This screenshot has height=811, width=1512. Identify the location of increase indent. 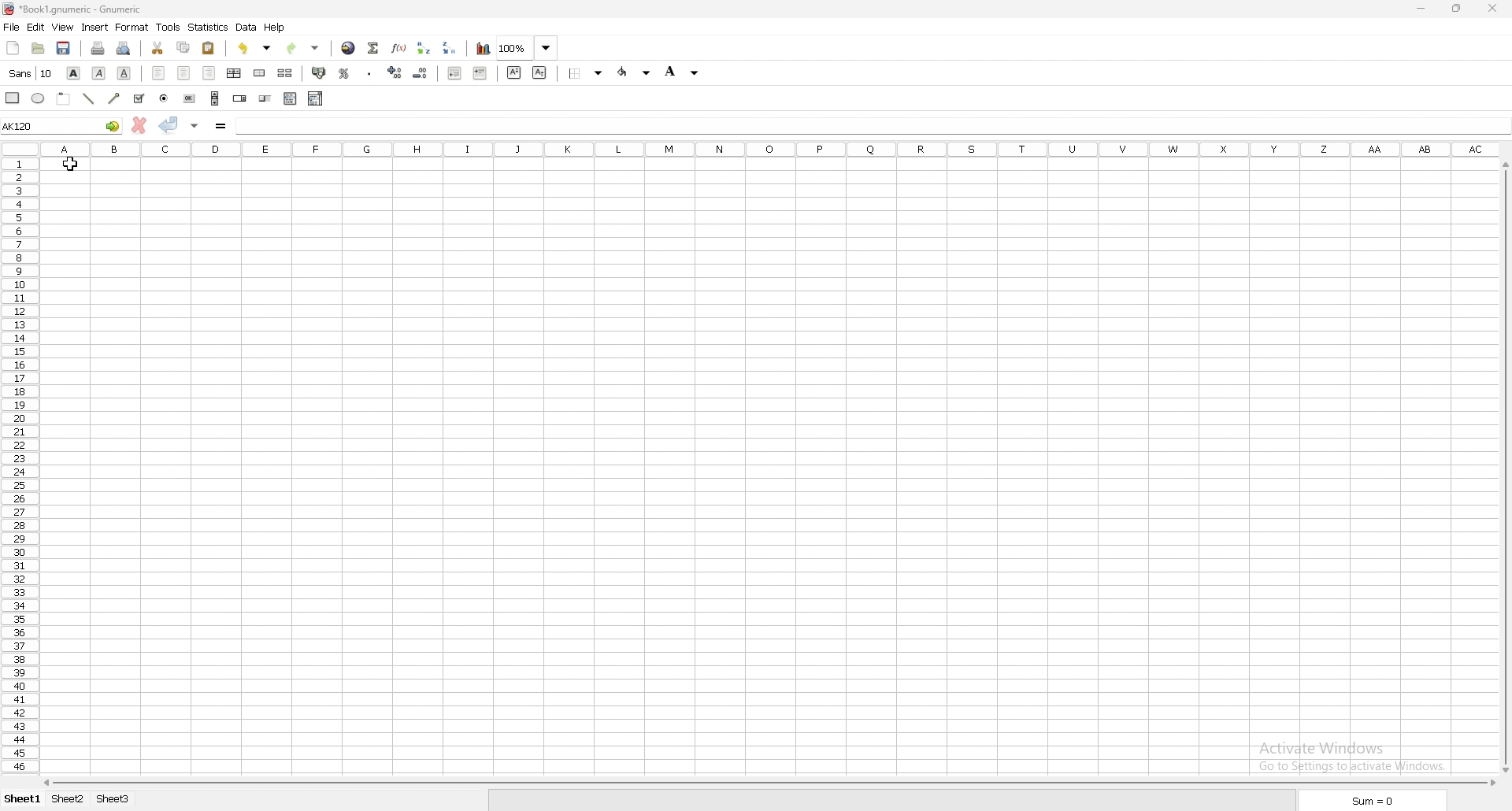
(480, 72).